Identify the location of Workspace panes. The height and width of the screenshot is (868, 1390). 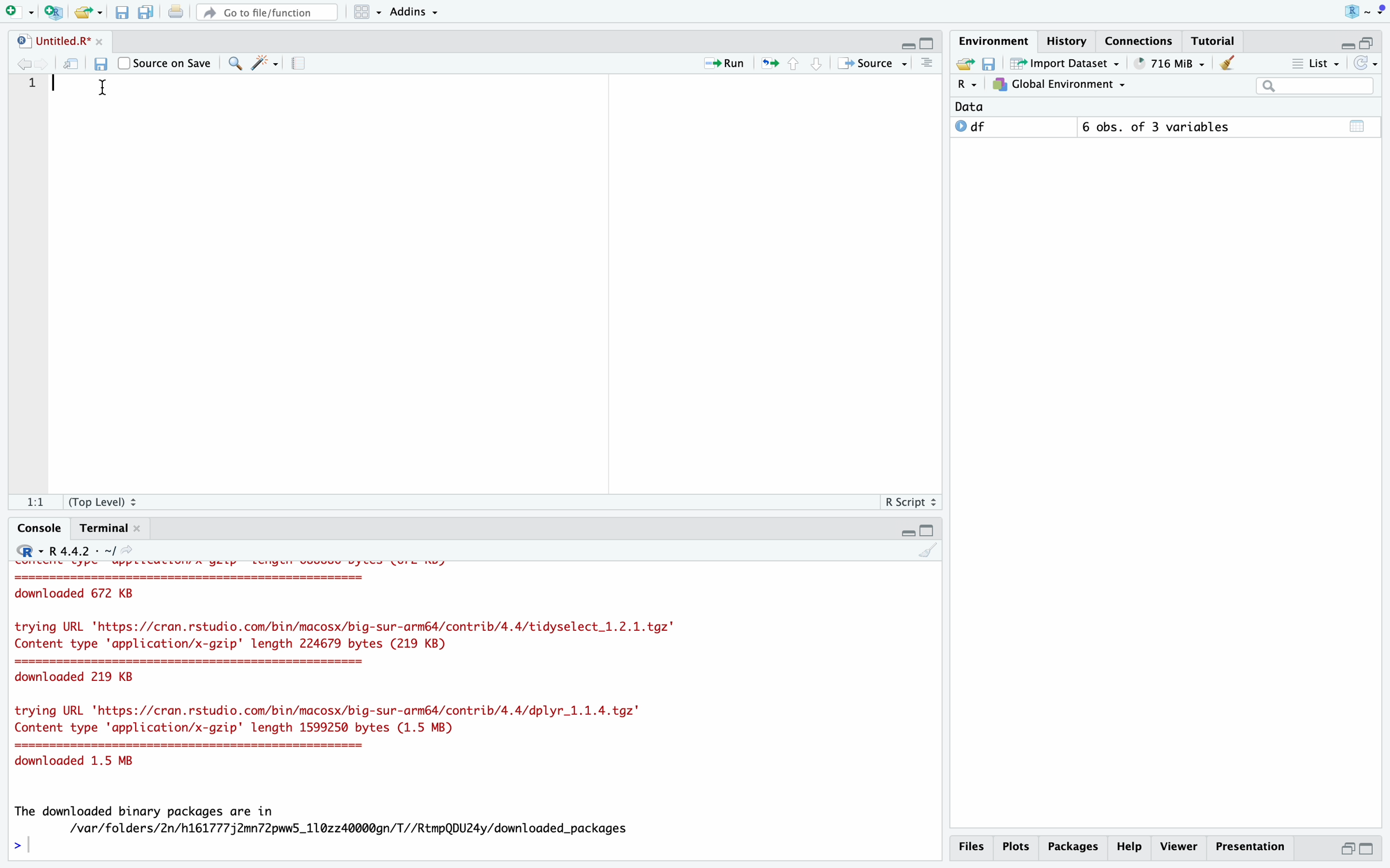
(365, 13).